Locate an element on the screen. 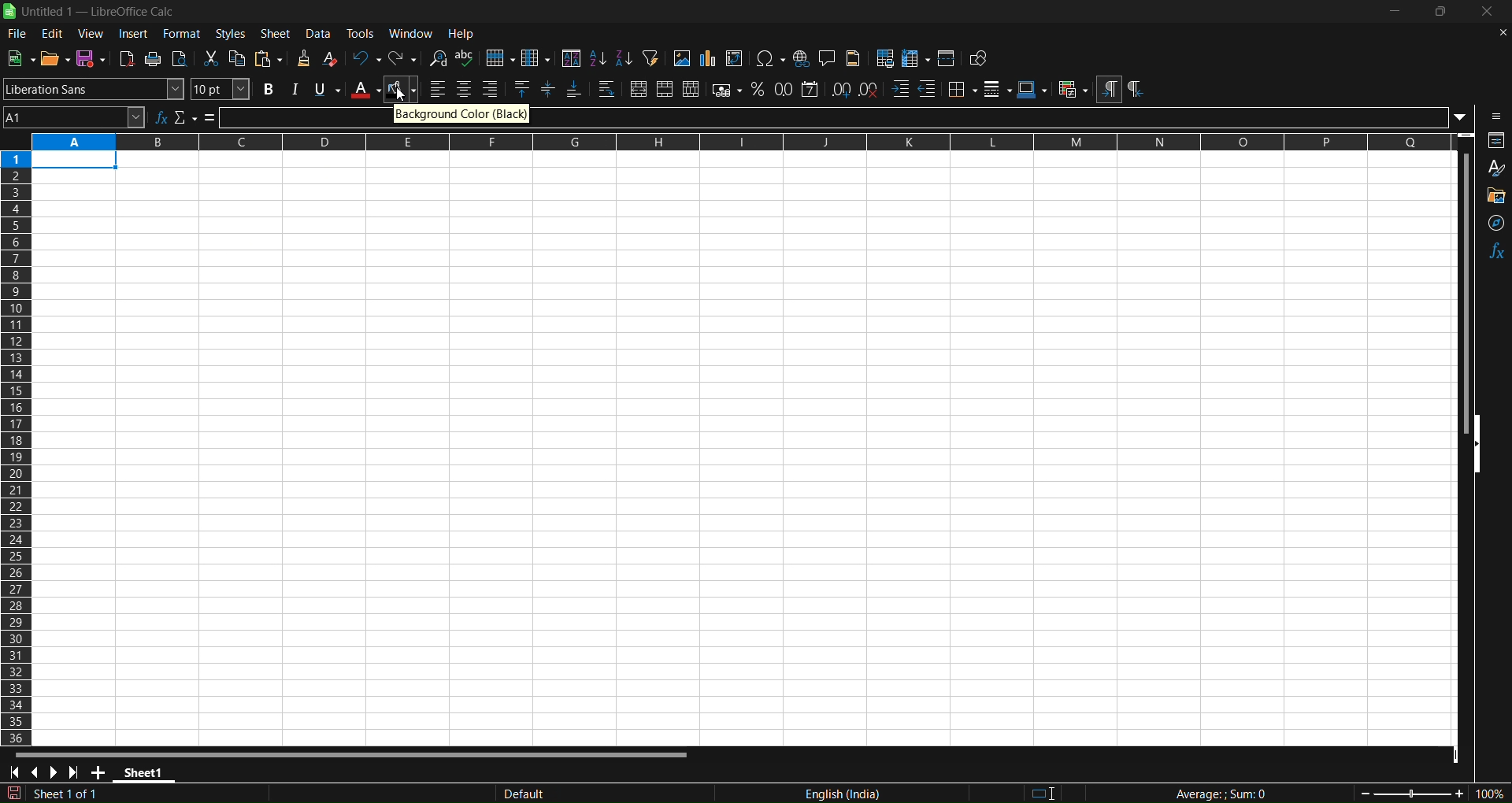  save is located at coordinates (91, 57).